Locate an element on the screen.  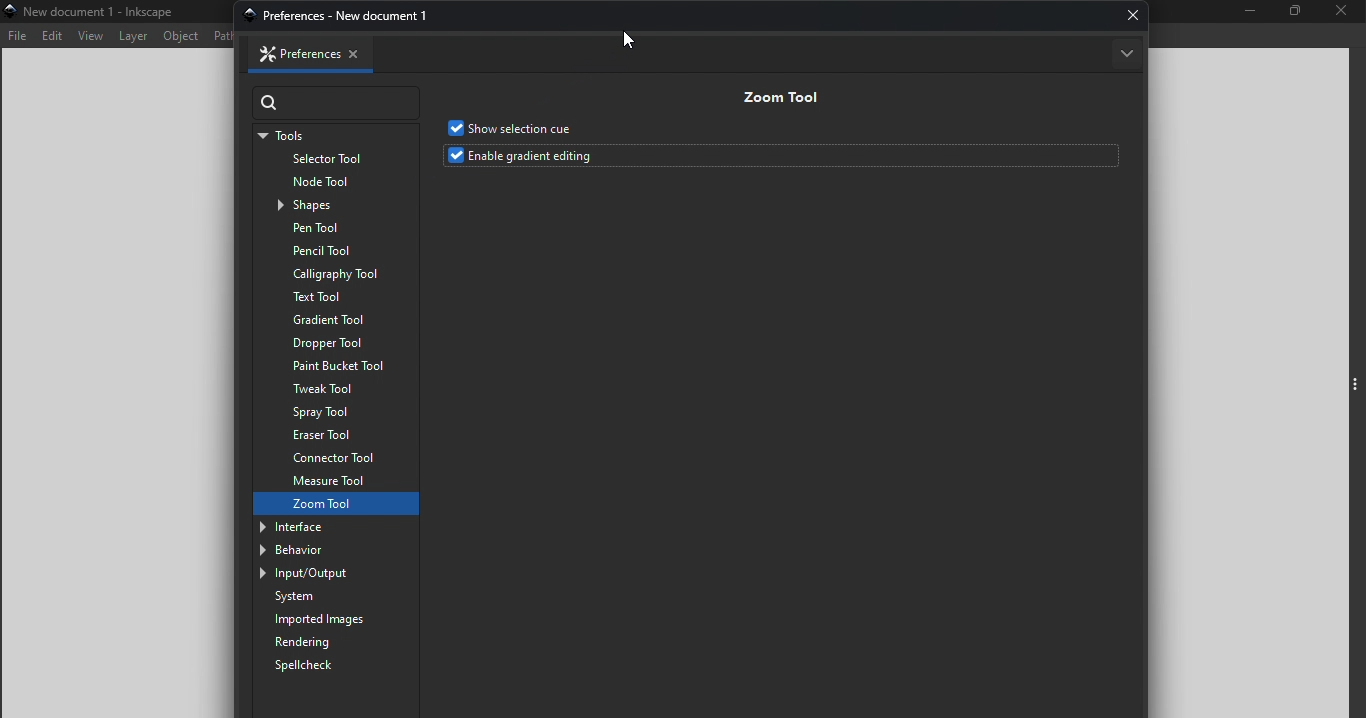
Spellcheck is located at coordinates (324, 667).